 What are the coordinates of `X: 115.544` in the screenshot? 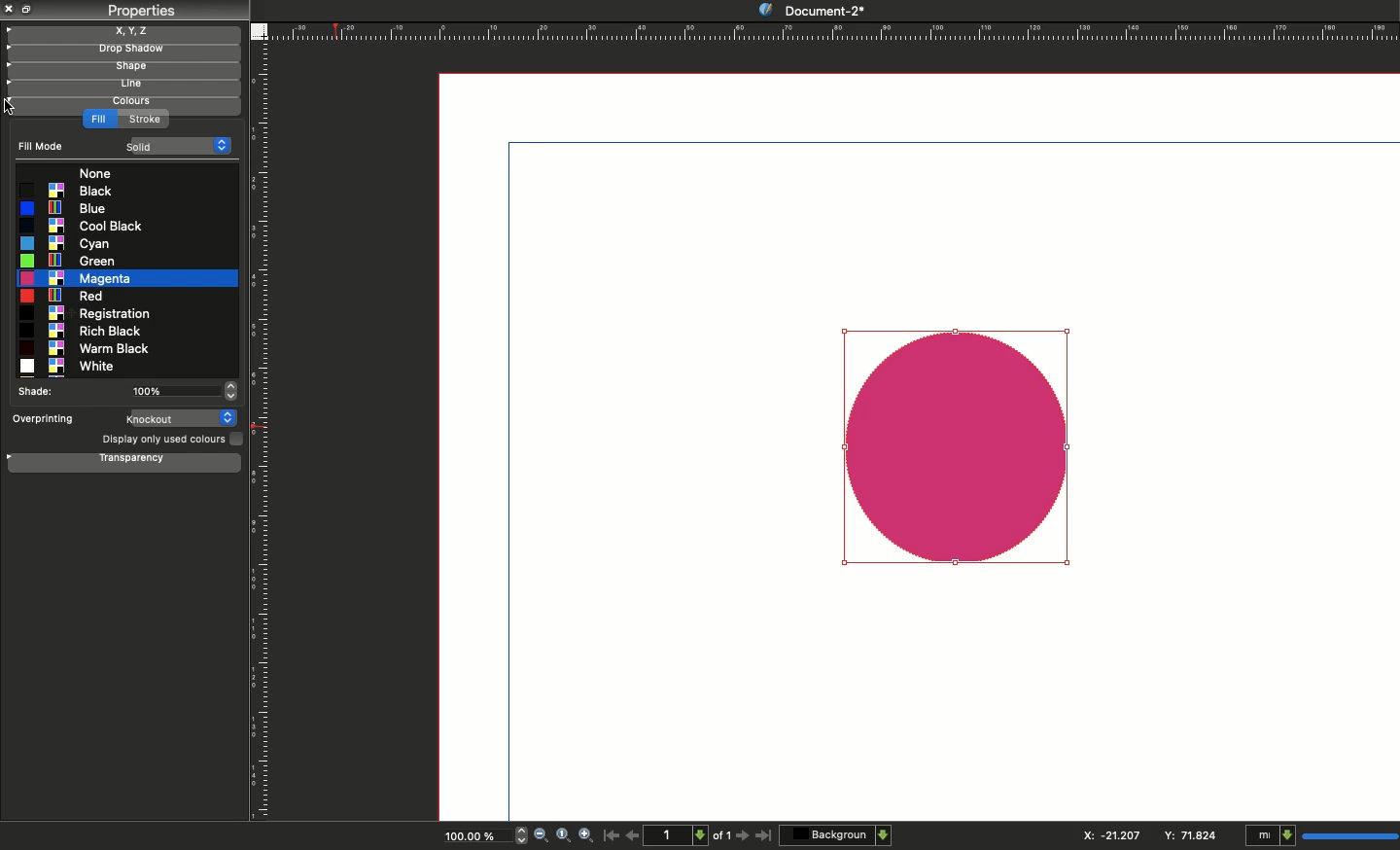 It's located at (1105, 835).